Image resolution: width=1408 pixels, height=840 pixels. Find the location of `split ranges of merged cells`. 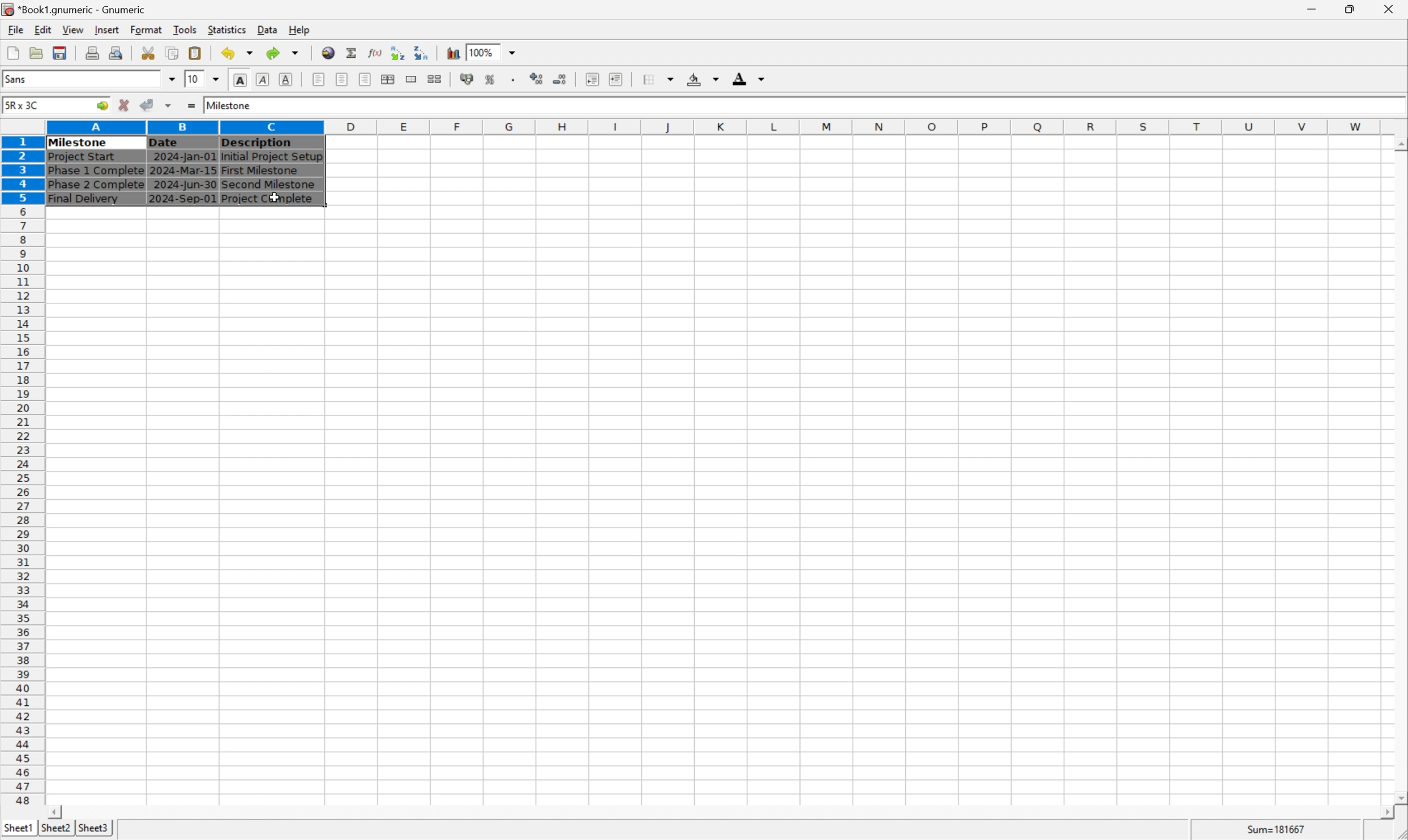

split ranges of merged cells is located at coordinates (435, 79).